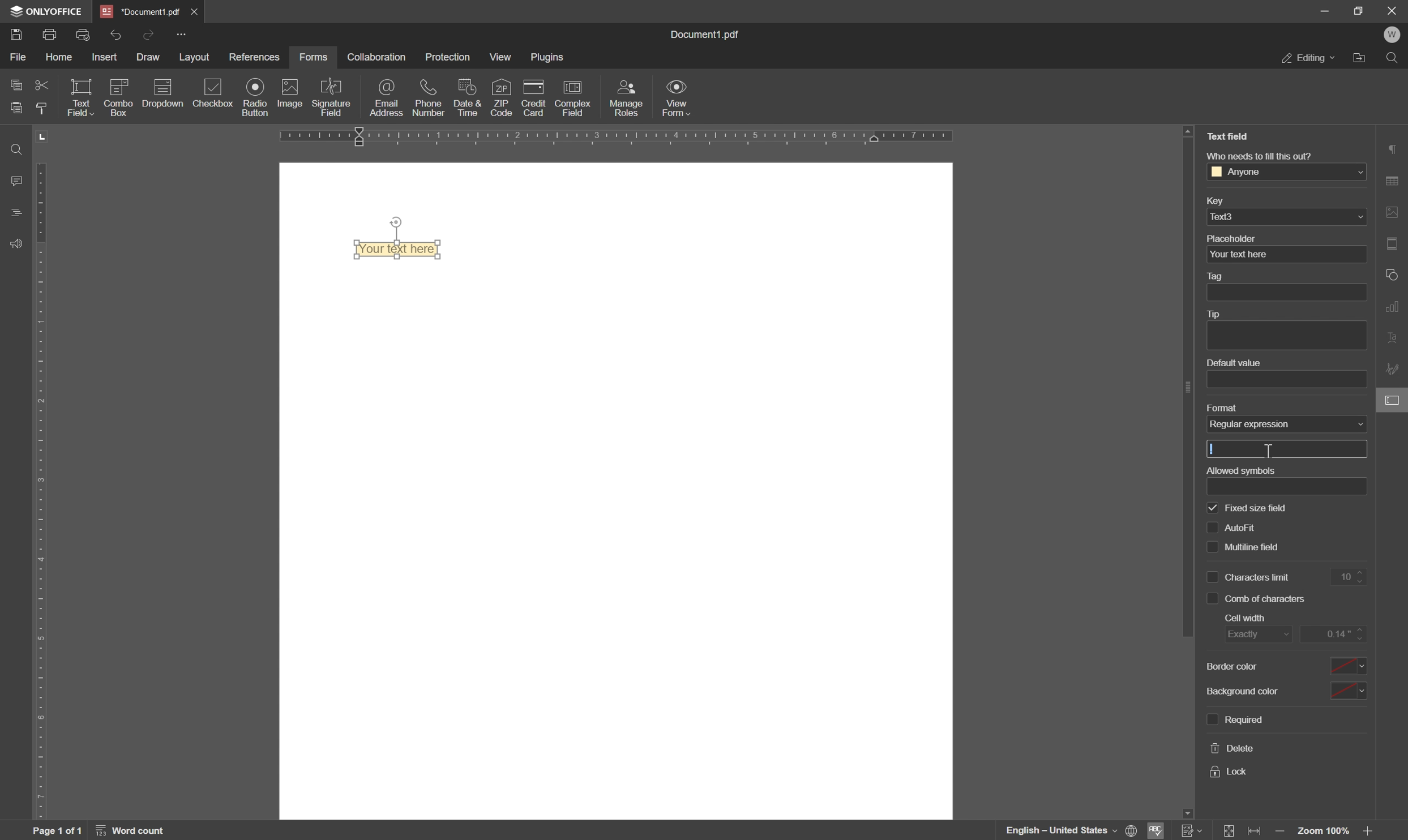  What do you see at coordinates (17, 57) in the screenshot?
I see `file` at bounding box center [17, 57].